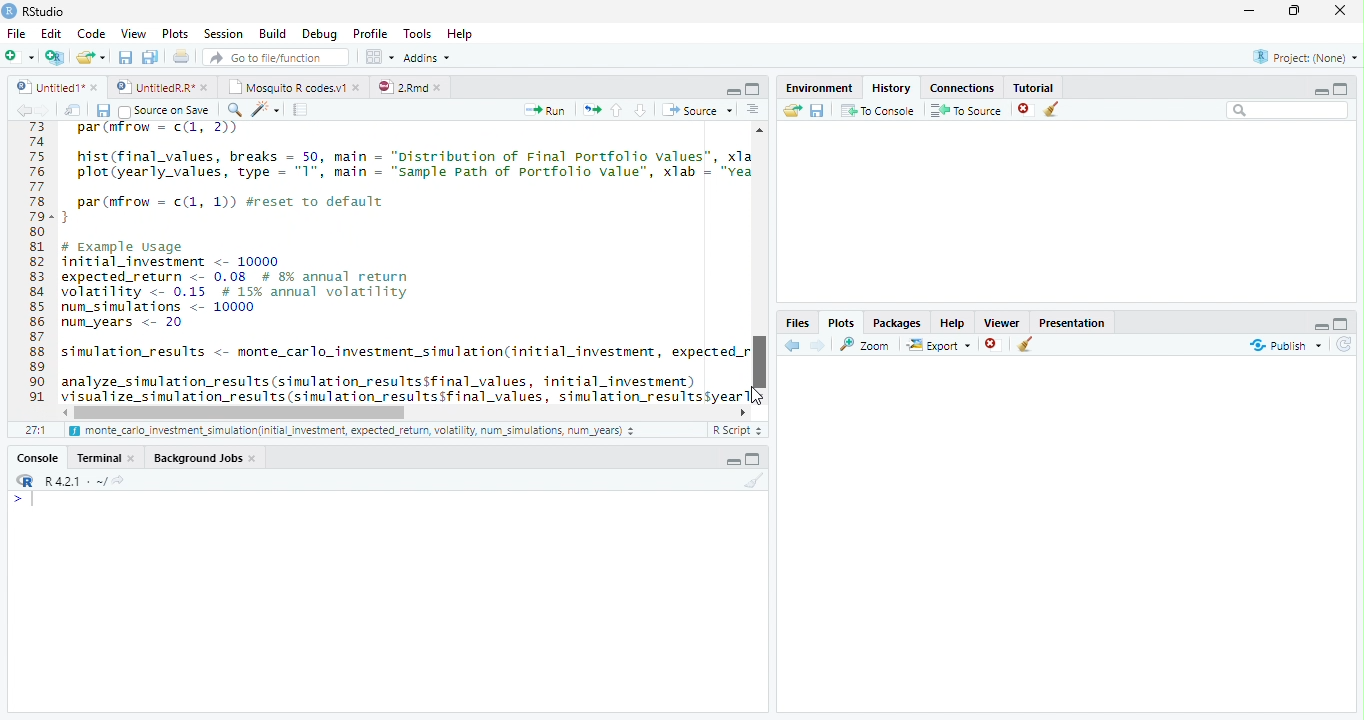  I want to click on , so click(732, 89).